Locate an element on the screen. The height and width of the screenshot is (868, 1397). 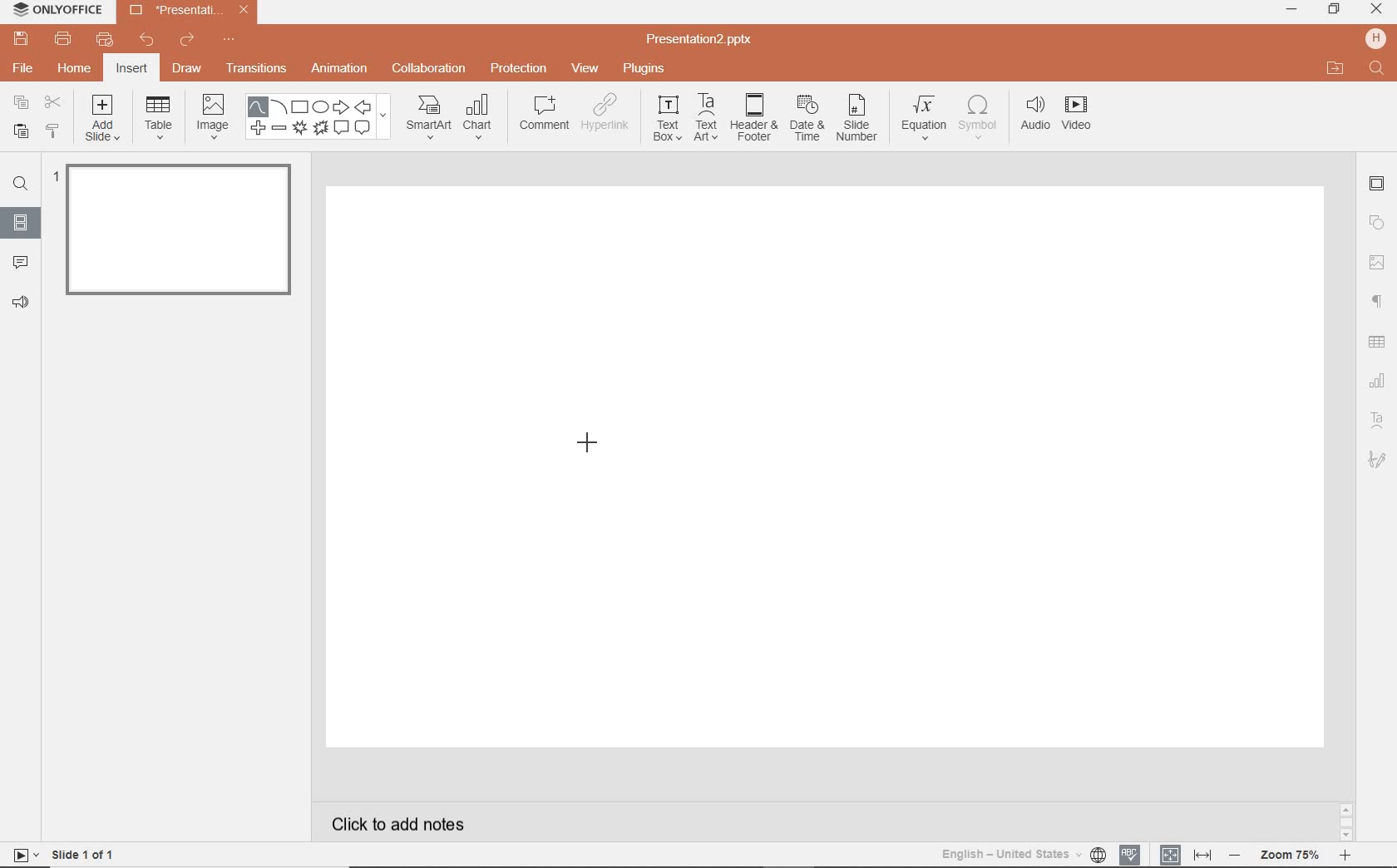
table settings is located at coordinates (1379, 340).